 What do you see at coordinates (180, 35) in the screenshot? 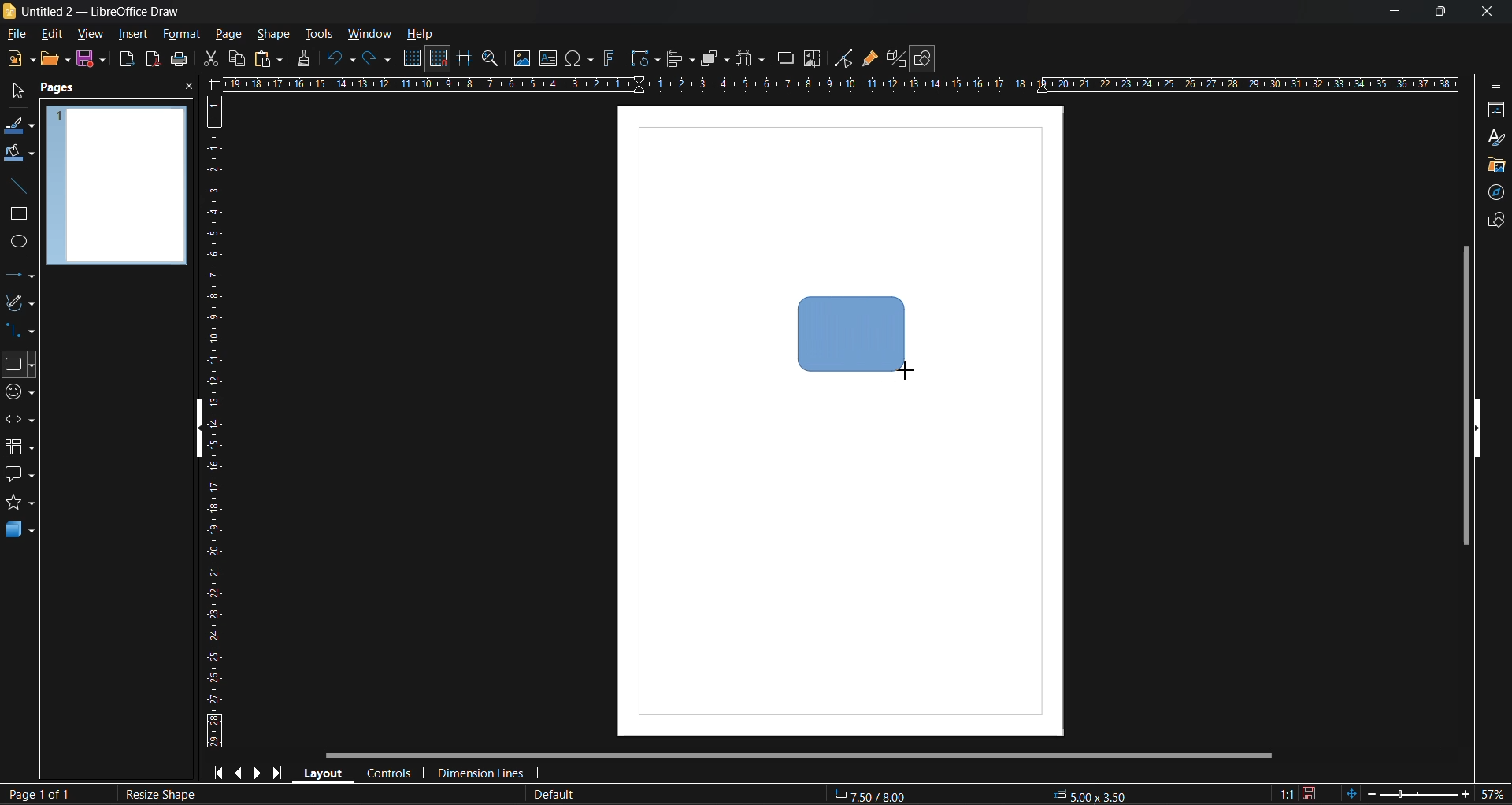
I see `format` at bounding box center [180, 35].